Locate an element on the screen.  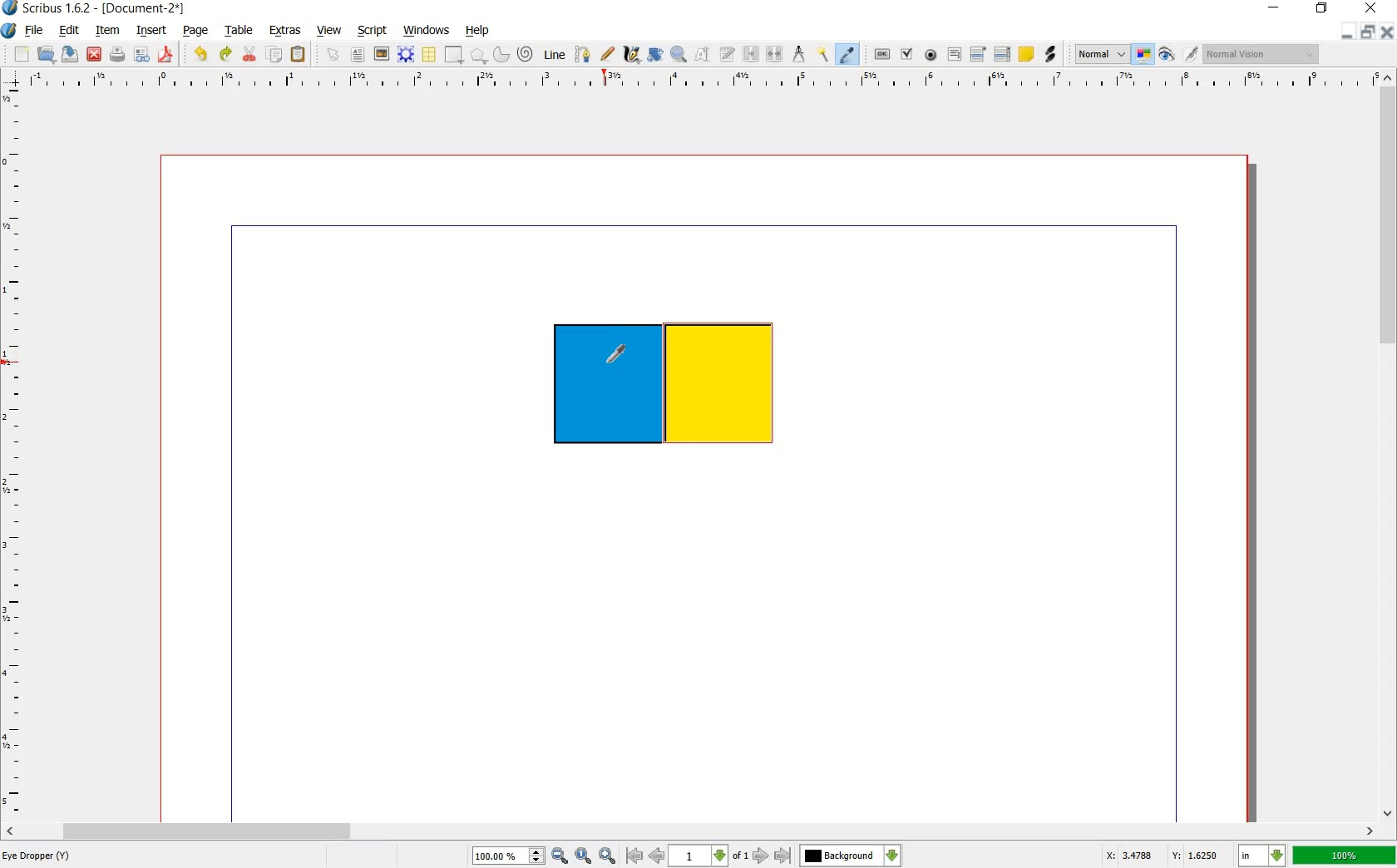
zoom out is located at coordinates (560, 854).